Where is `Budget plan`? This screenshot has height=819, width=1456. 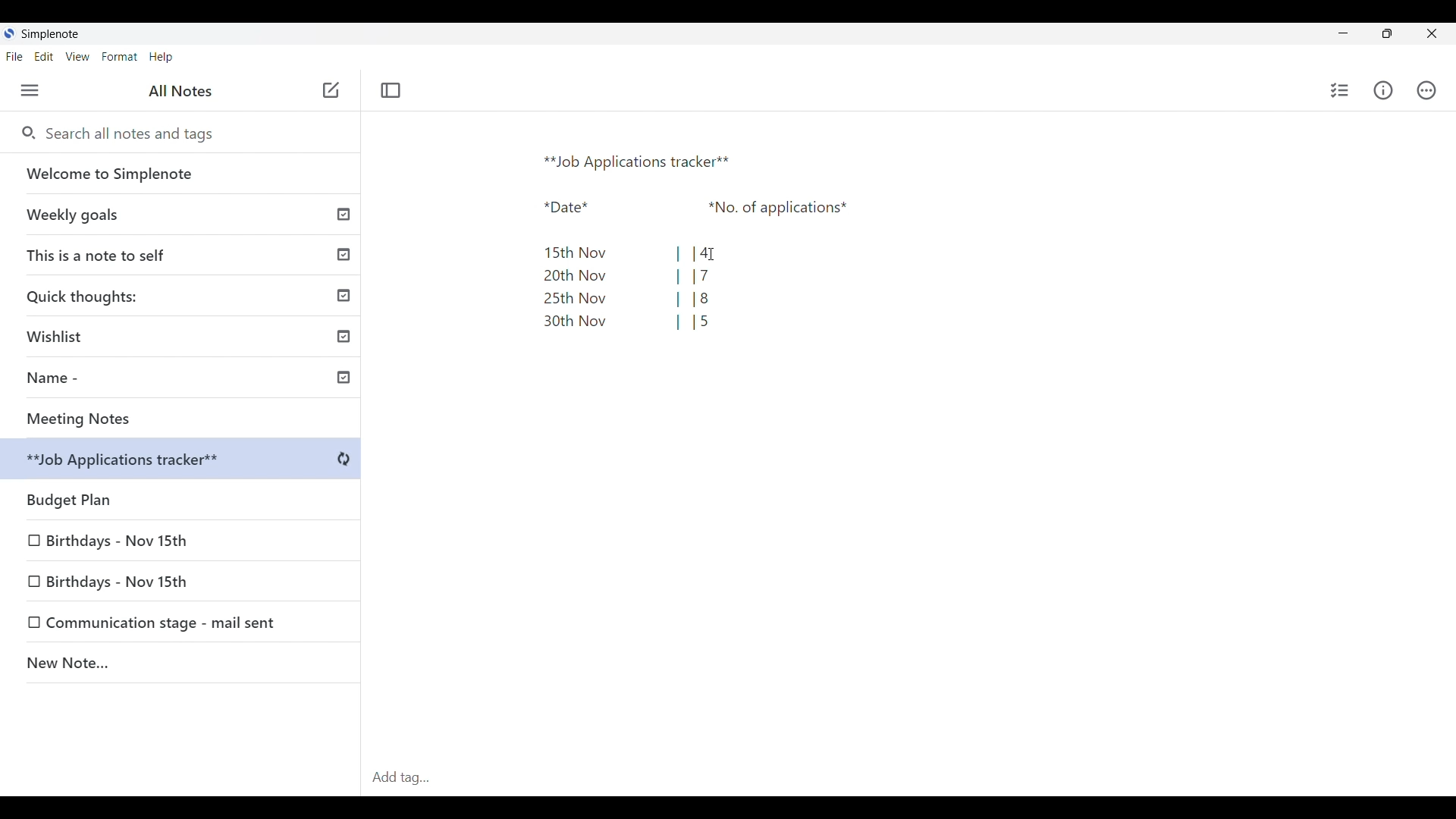 Budget plan is located at coordinates (182, 496).